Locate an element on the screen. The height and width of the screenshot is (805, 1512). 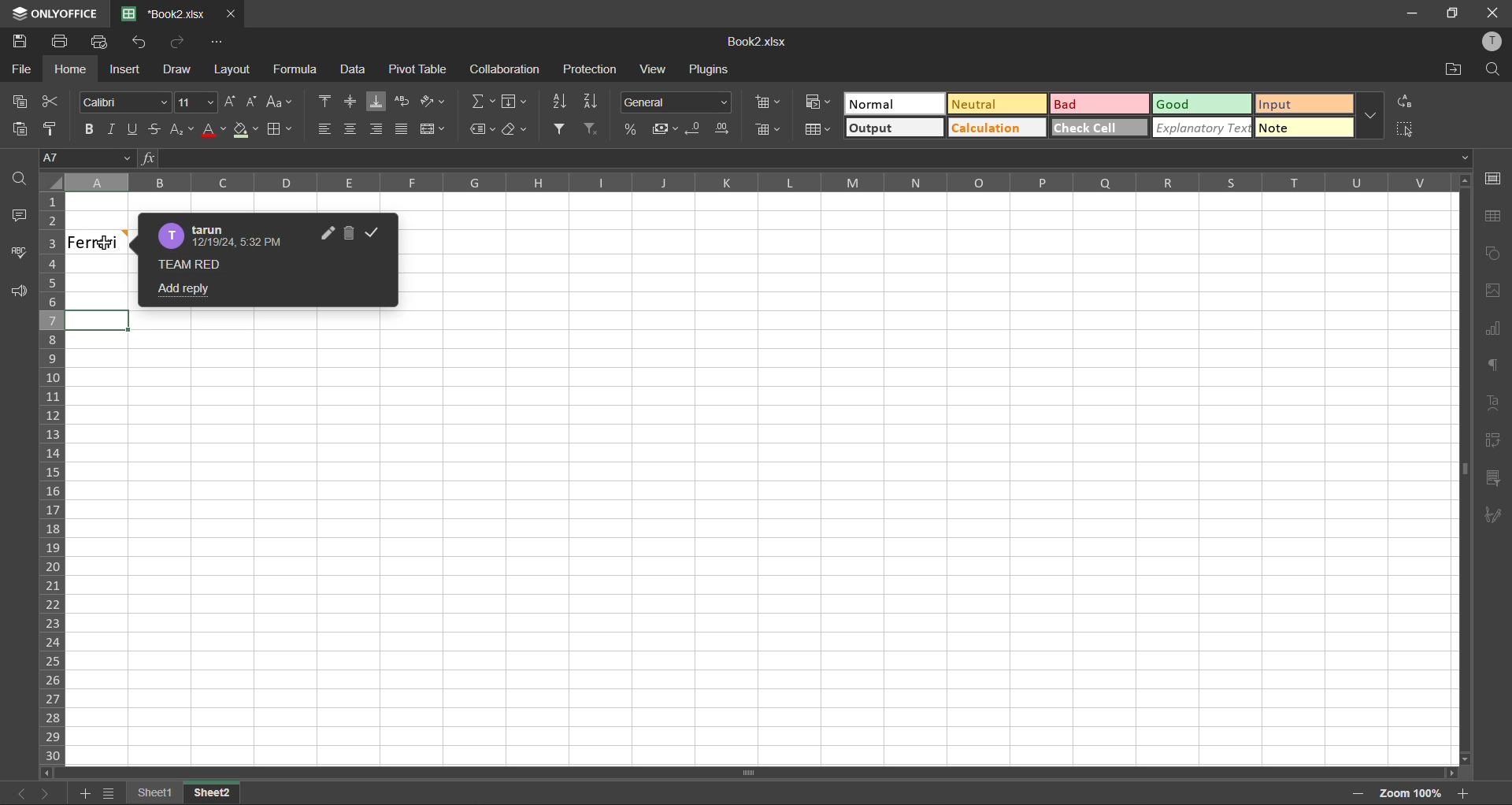
pivot table is located at coordinates (1492, 442).